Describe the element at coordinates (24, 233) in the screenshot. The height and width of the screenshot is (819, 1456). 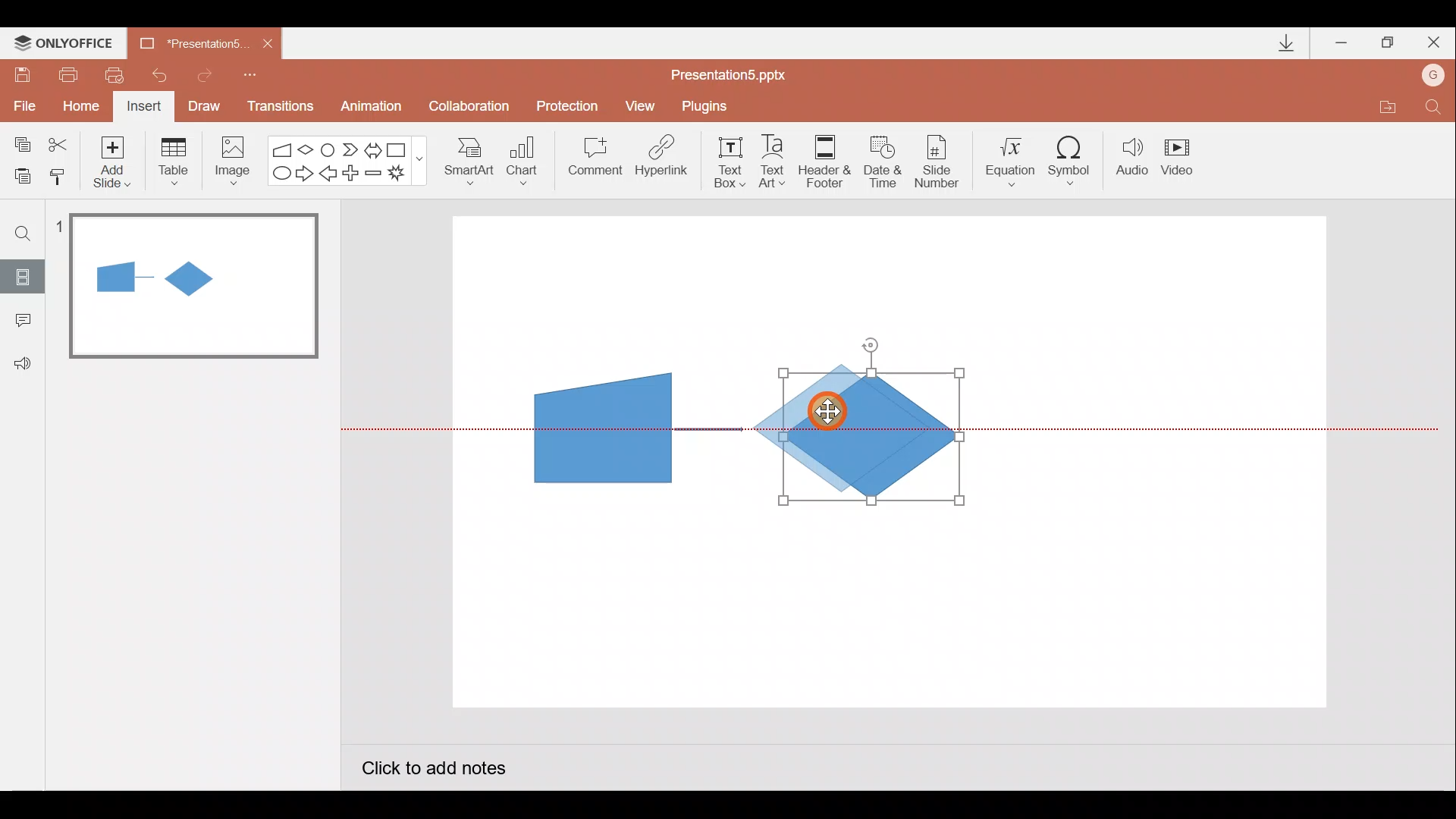
I see `Find` at that location.